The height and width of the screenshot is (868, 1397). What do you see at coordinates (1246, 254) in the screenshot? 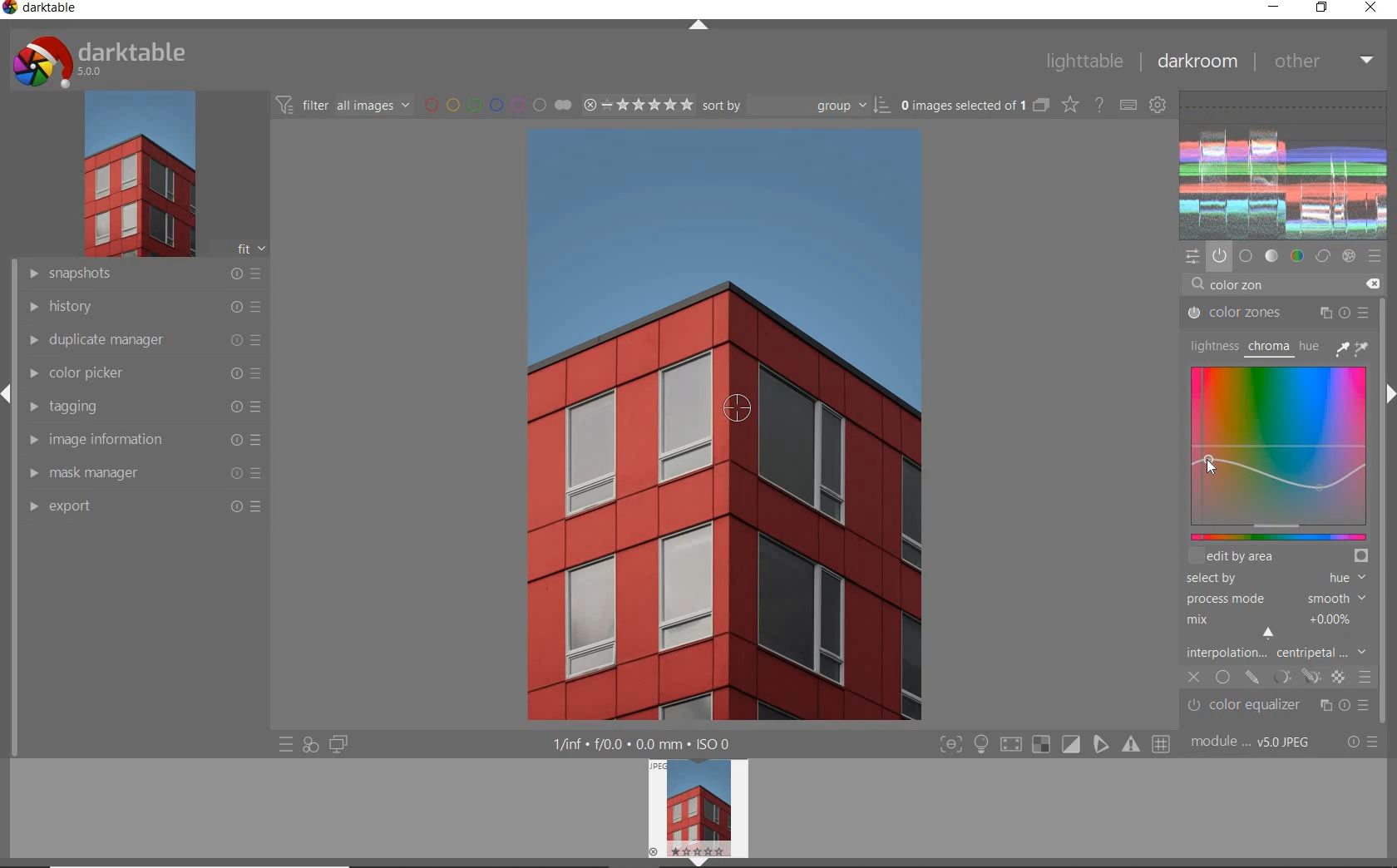
I see `base` at bounding box center [1246, 254].